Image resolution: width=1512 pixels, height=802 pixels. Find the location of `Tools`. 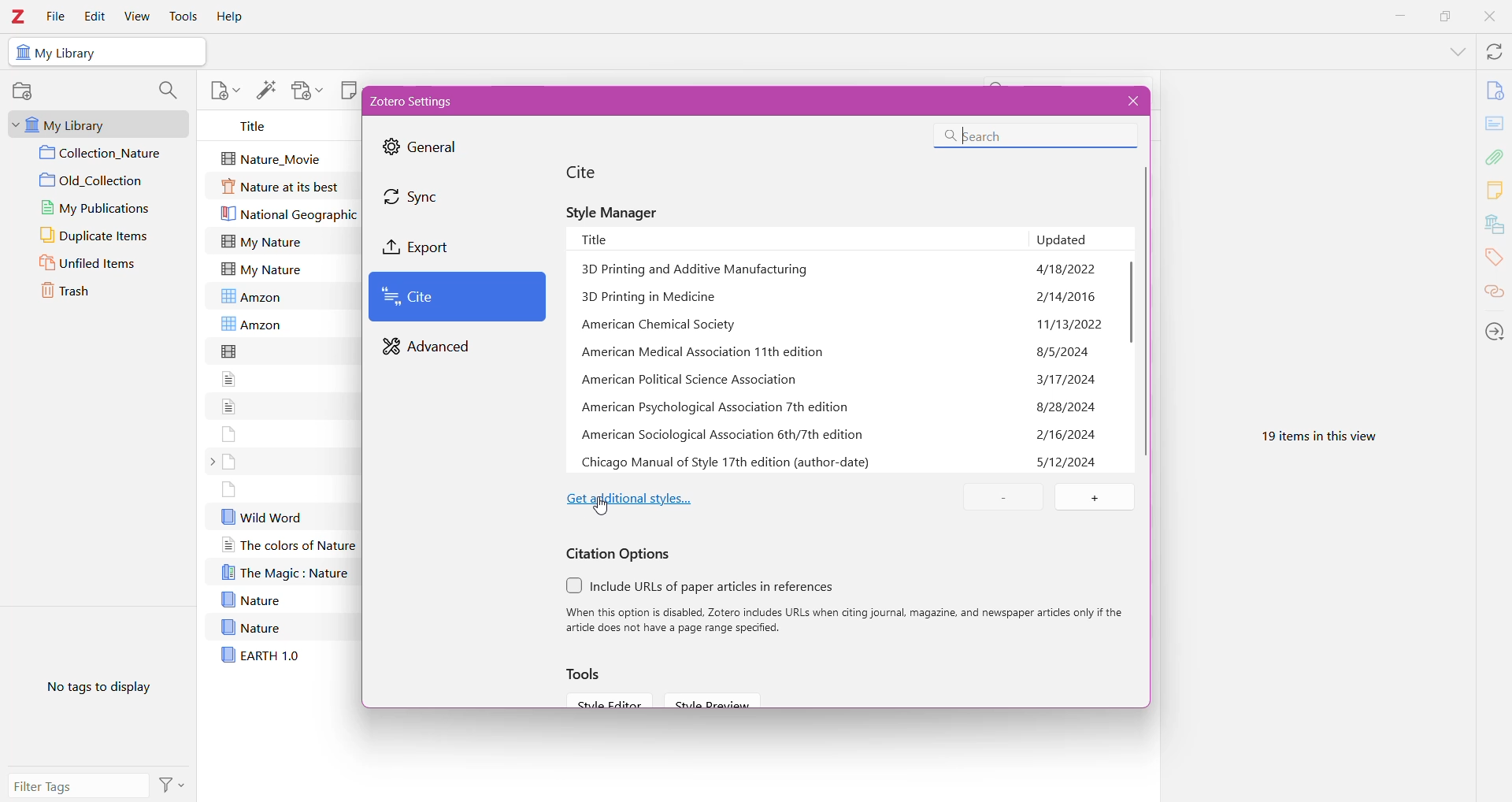

Tools is located at coordinates (183, 16).